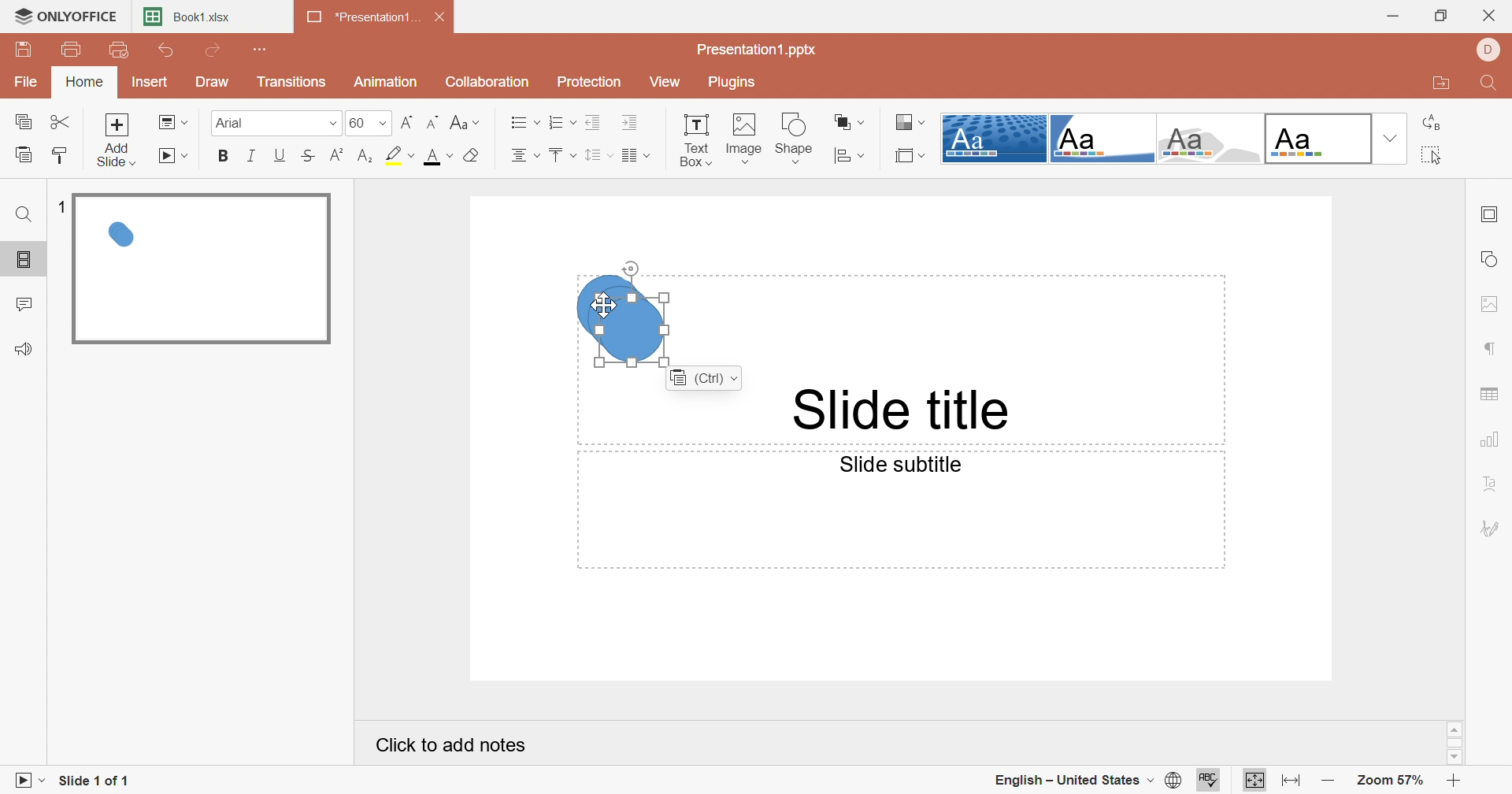  Describe the element at coordinates (1104, 137) in the screenshot. I see `Corner` at that location.